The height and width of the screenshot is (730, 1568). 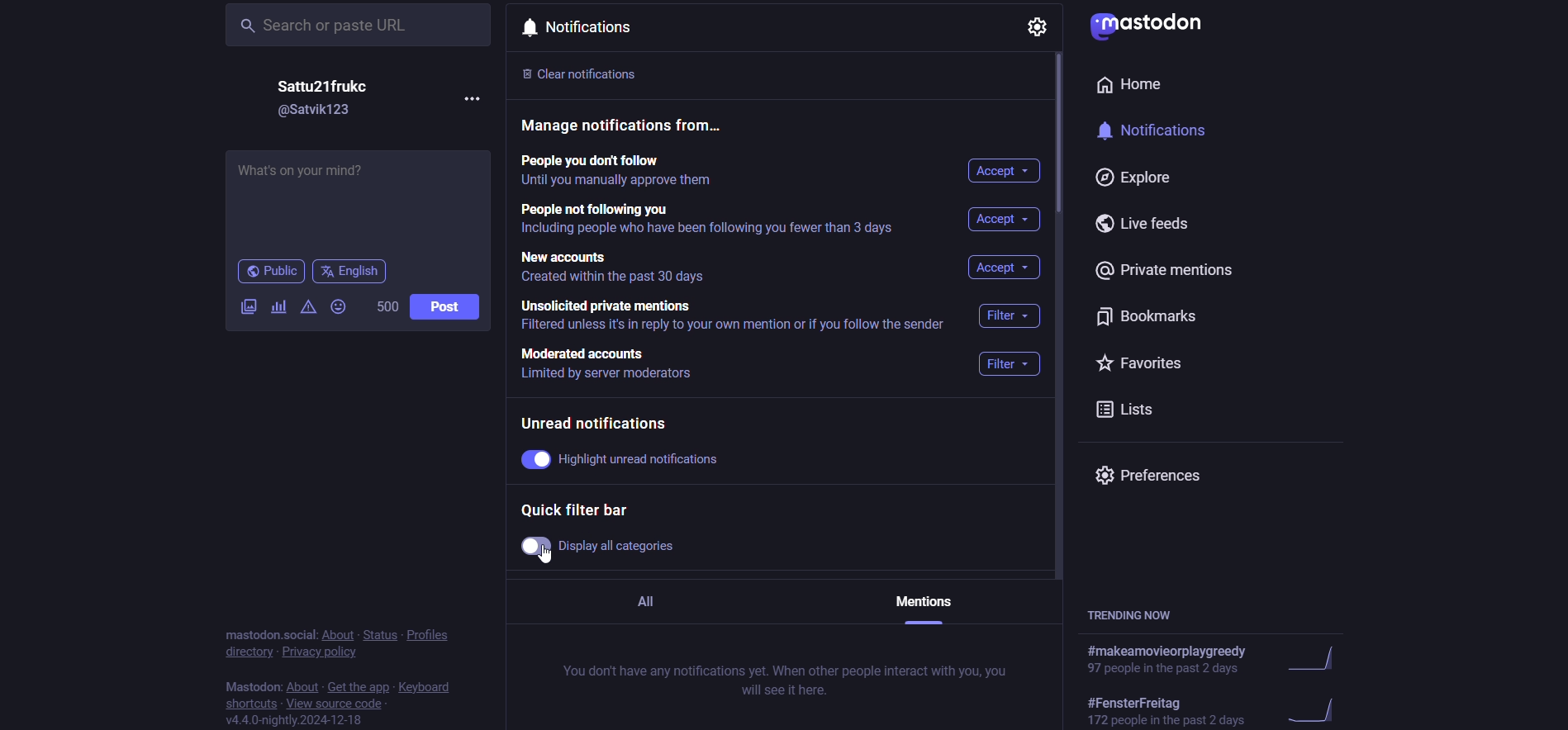 What do you see at coordinates (310, 306) in the screenshot?
I see `warning message` at bounding box center [310, 306].